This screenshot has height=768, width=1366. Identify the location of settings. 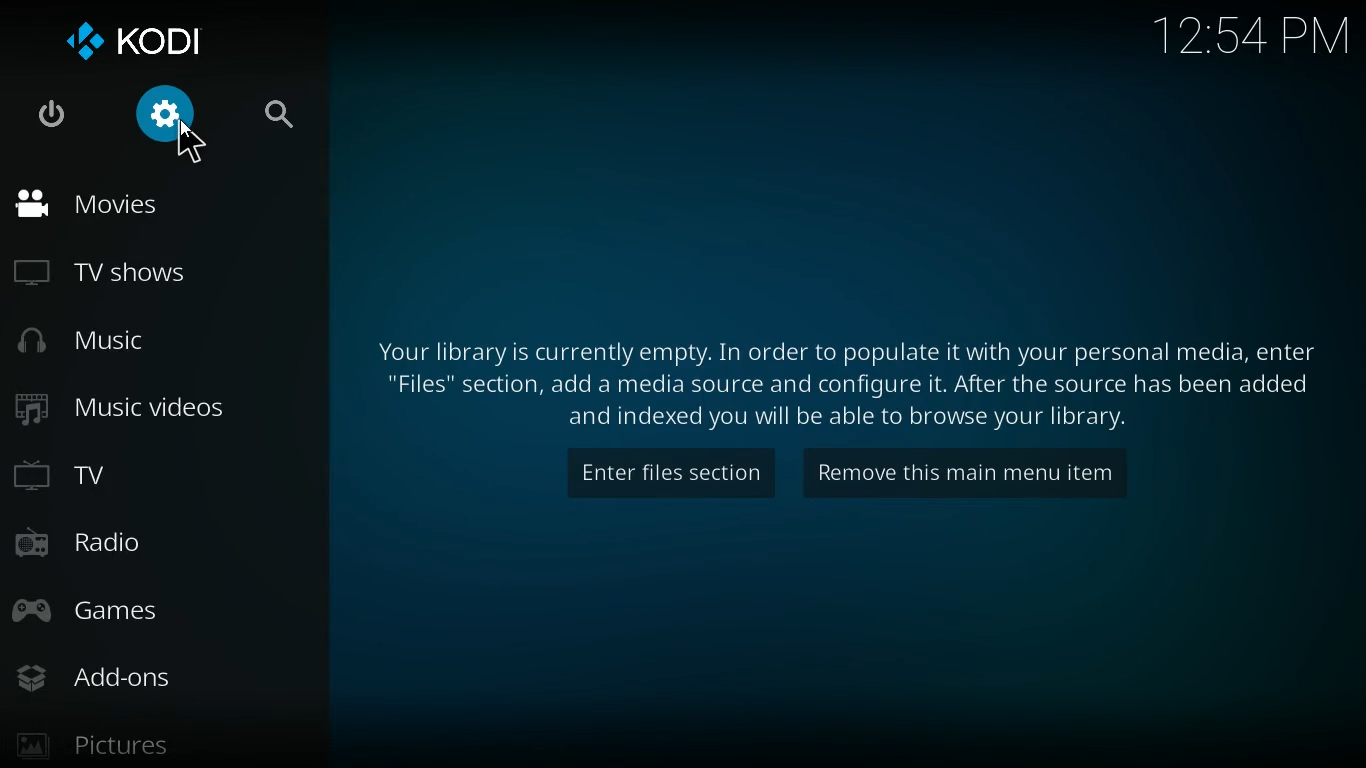
(163, 112).